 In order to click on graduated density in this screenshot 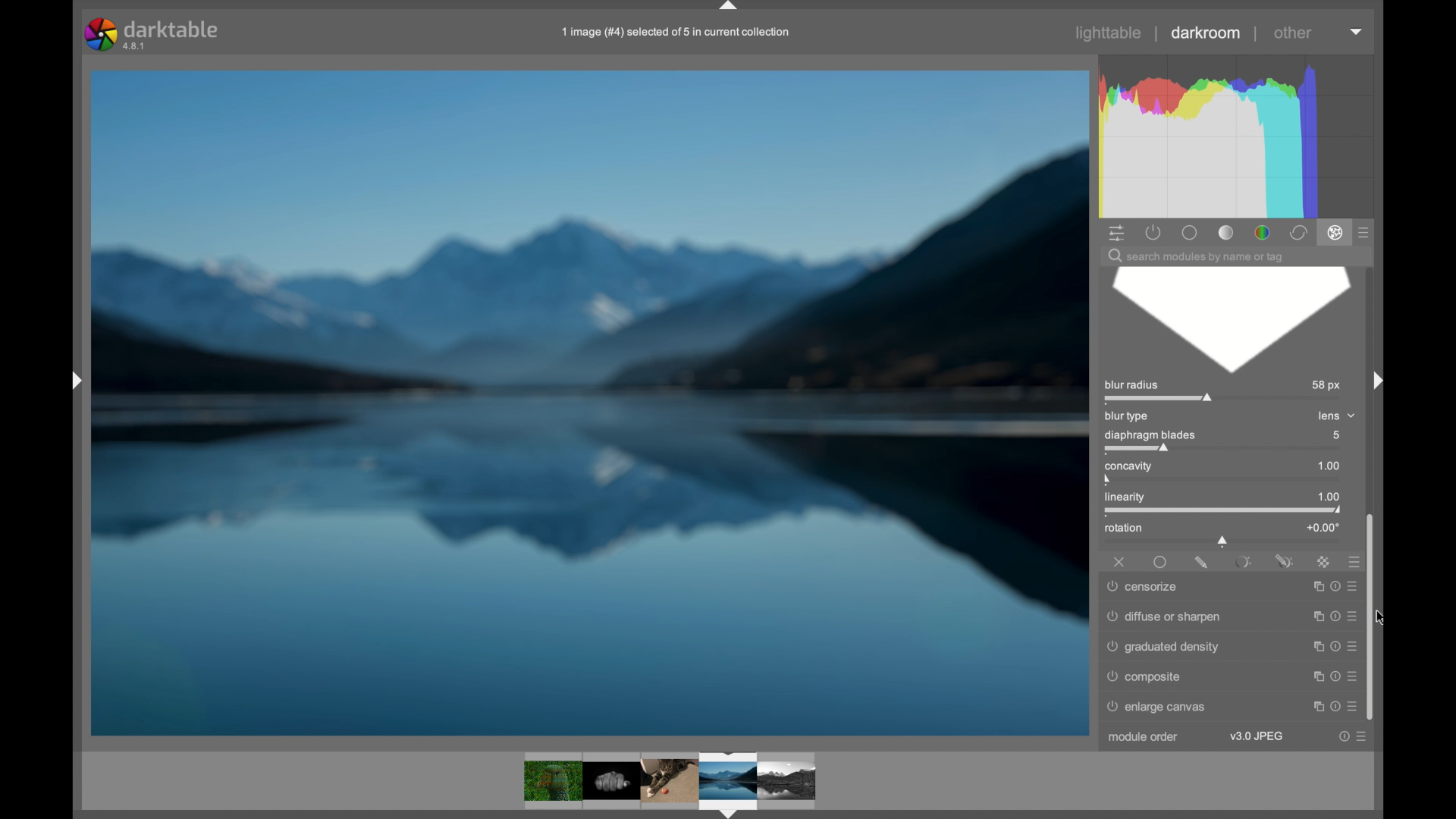, I will do `click(1165, 647)`.